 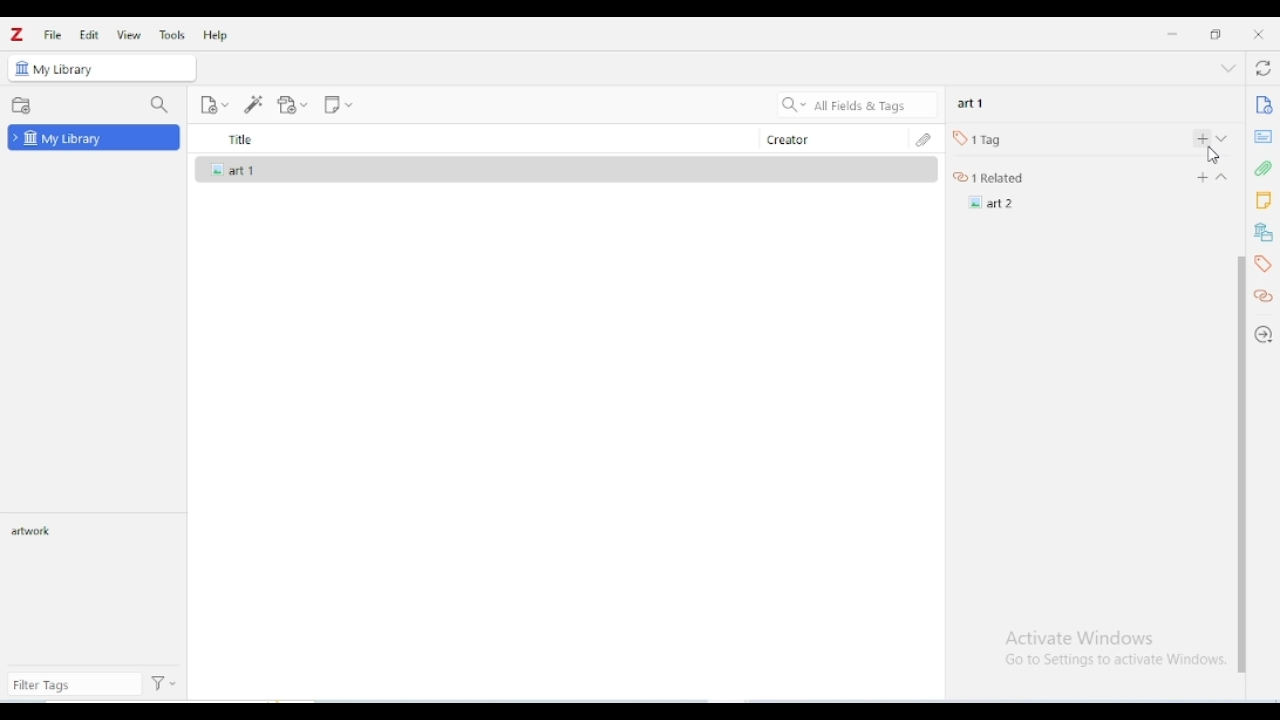 I want to click on abstract, so click(x=1263, y=137).